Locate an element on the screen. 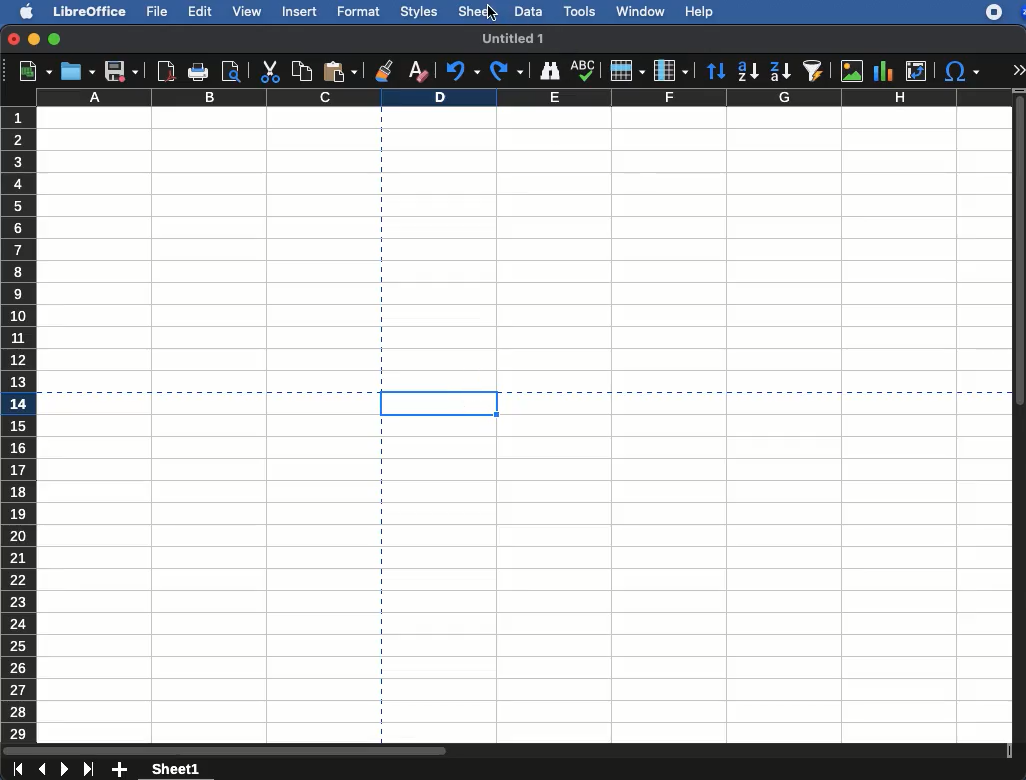  window is located at coordinates (639, 13).